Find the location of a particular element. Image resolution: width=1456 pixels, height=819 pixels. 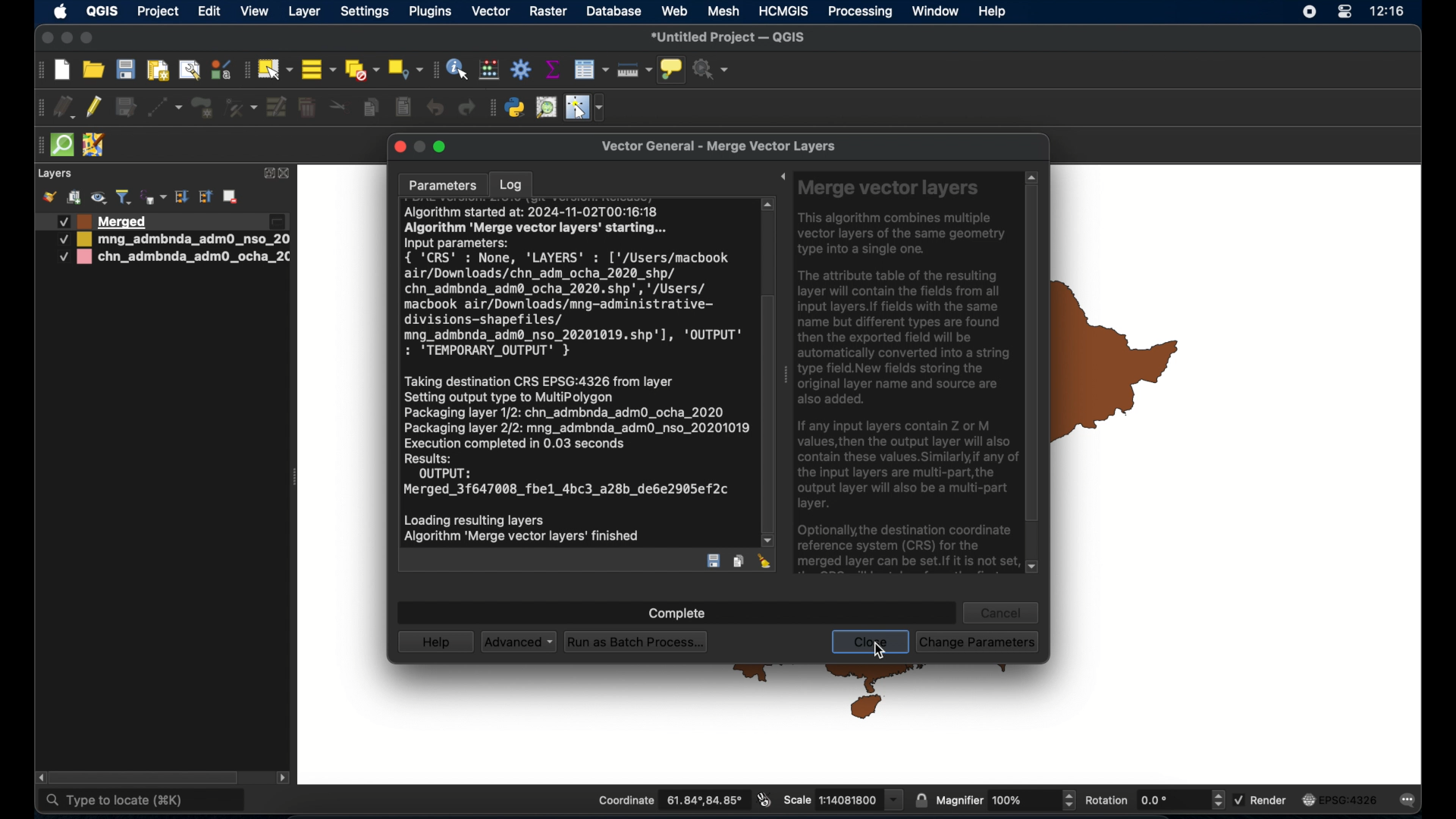

python console is located at coordinates (516, 108).